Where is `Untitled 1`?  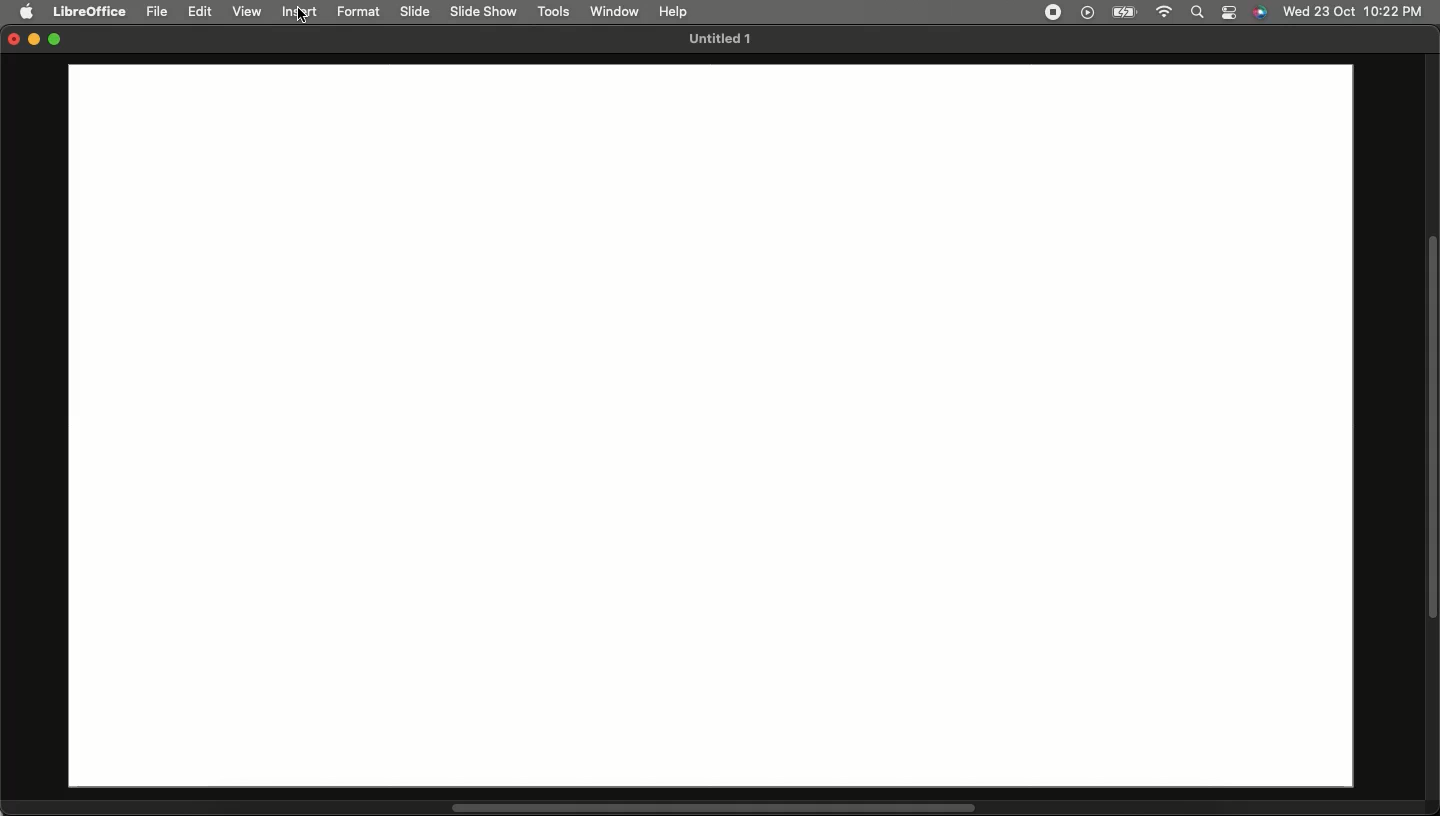 Untitled 1 is located at coordinates (717, 40).